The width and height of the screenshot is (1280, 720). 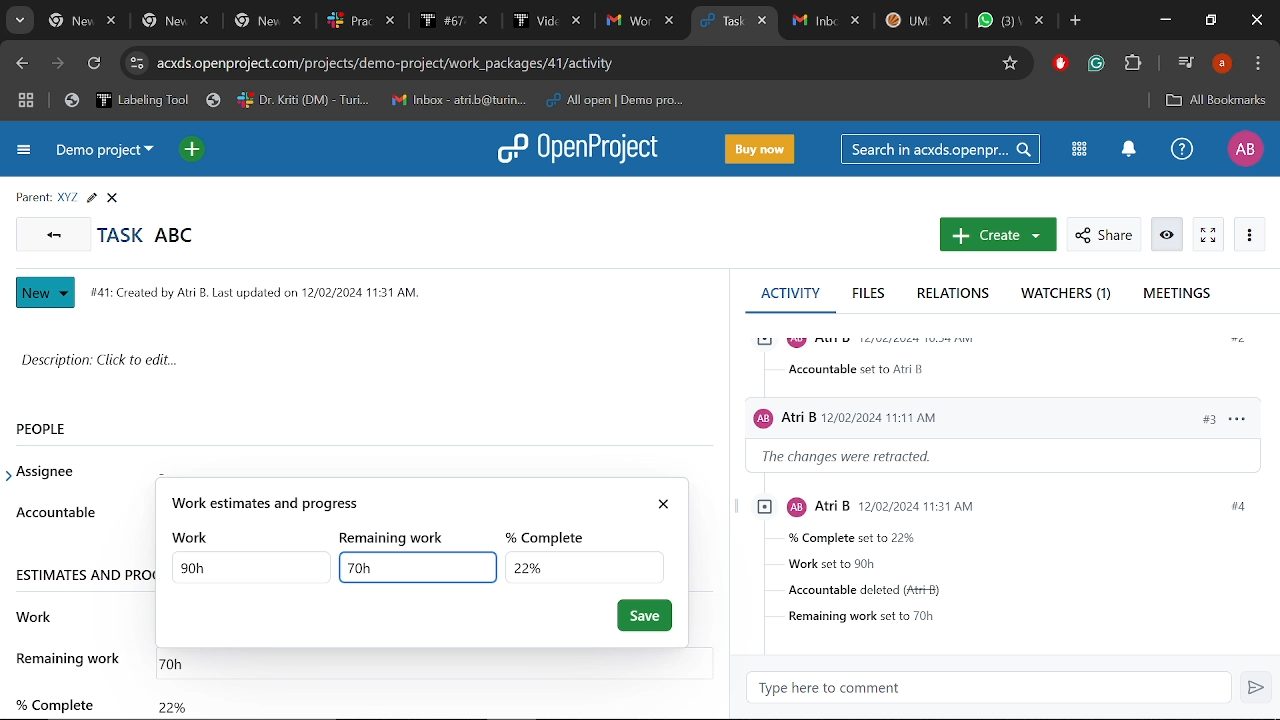 I want to click on Notification center, so click(x=1126, y=150).